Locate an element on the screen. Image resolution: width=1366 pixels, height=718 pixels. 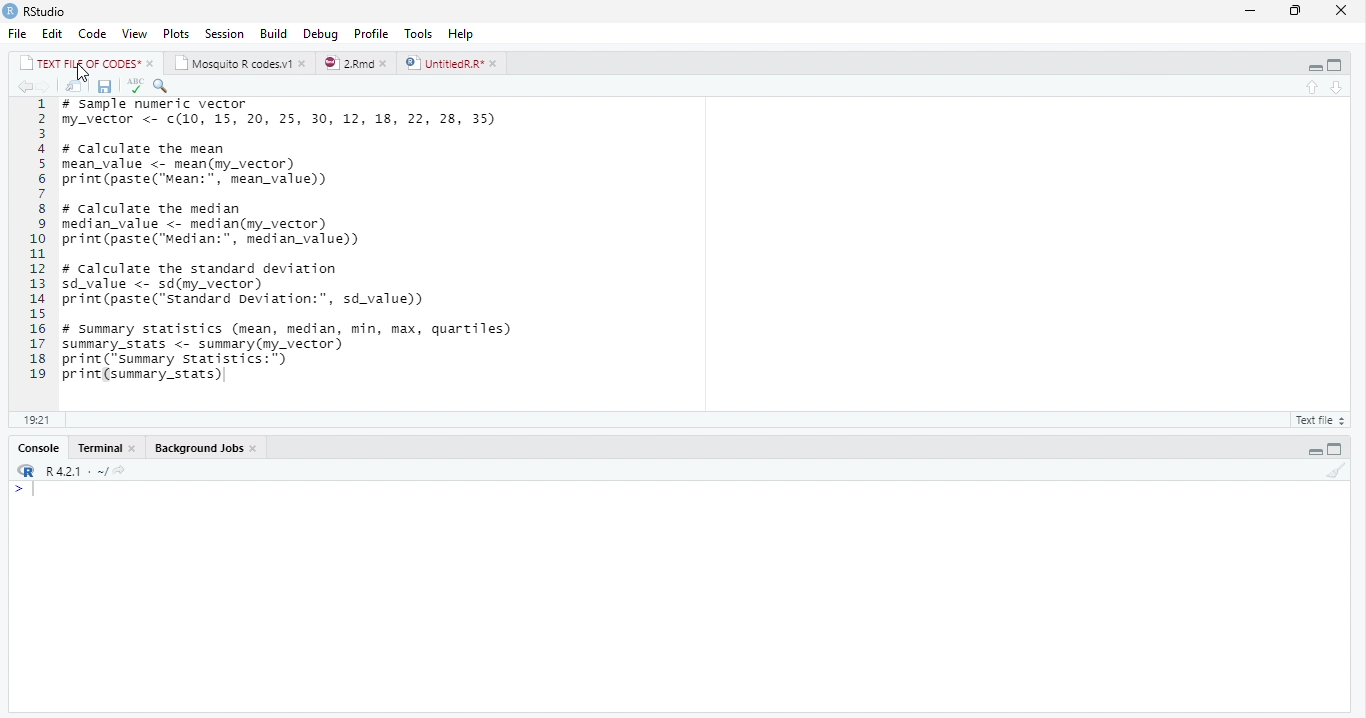
next section is located at coordinates (1338, 88).